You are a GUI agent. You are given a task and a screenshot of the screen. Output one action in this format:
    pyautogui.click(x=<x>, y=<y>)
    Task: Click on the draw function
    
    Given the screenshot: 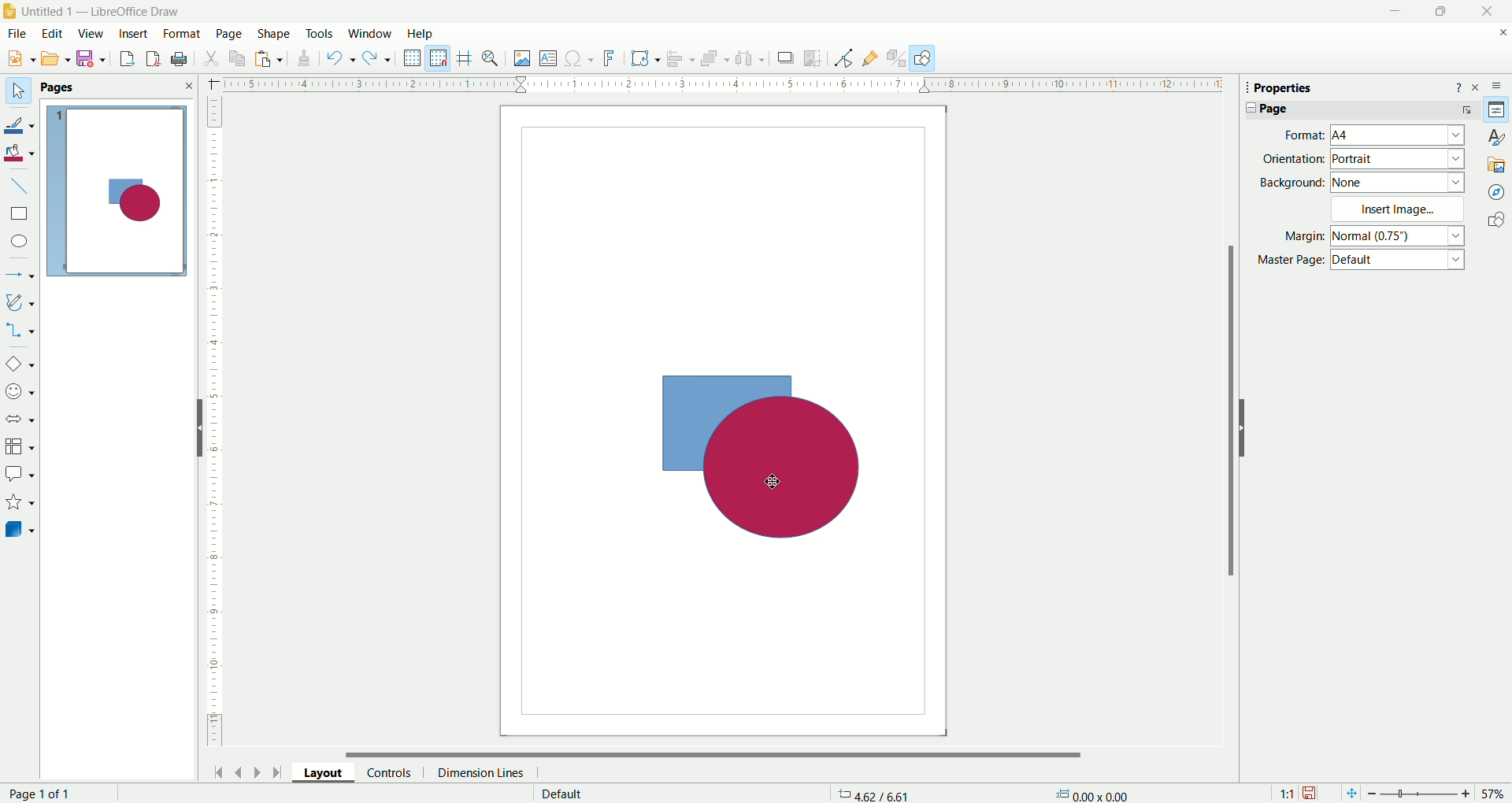 What is the action you would take?
    pyautogui.click(x=925, y=57)
    